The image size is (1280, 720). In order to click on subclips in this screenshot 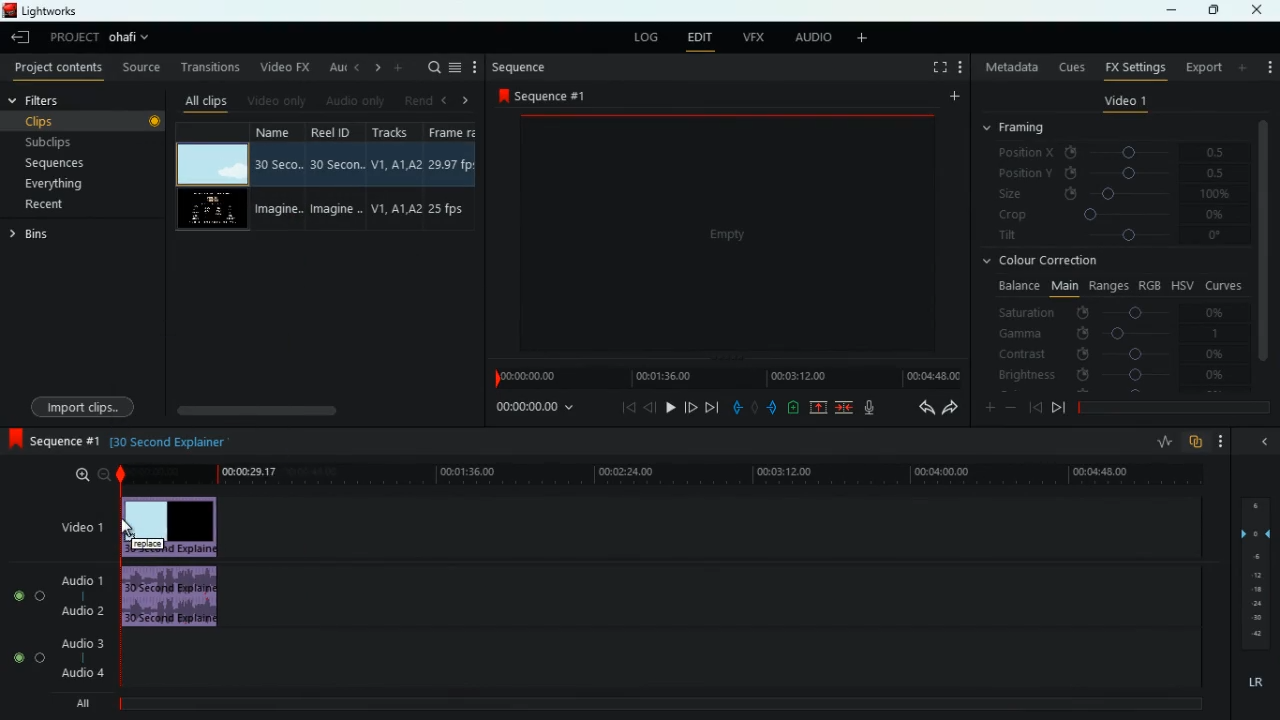, I will do `click(54, 141)`.